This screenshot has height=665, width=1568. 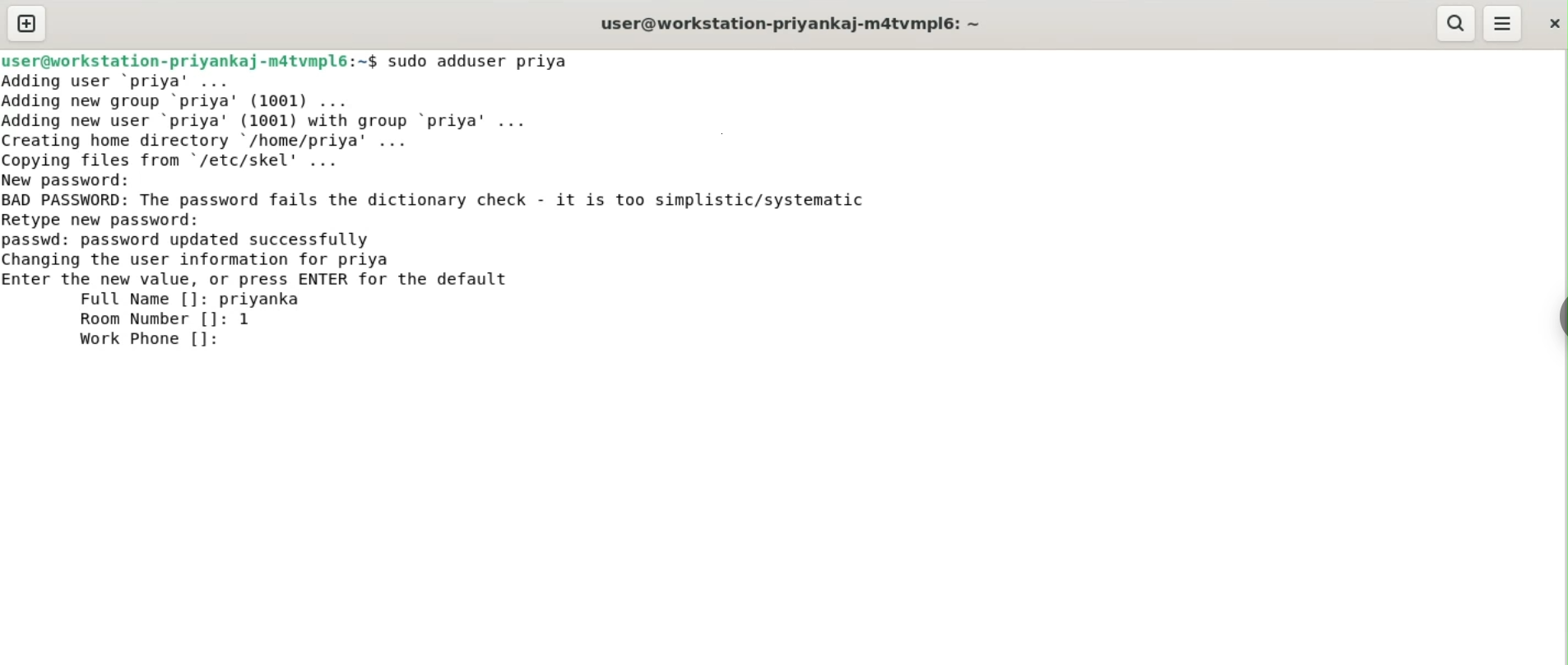 I want to click on search, so click(x=1454, y=23).